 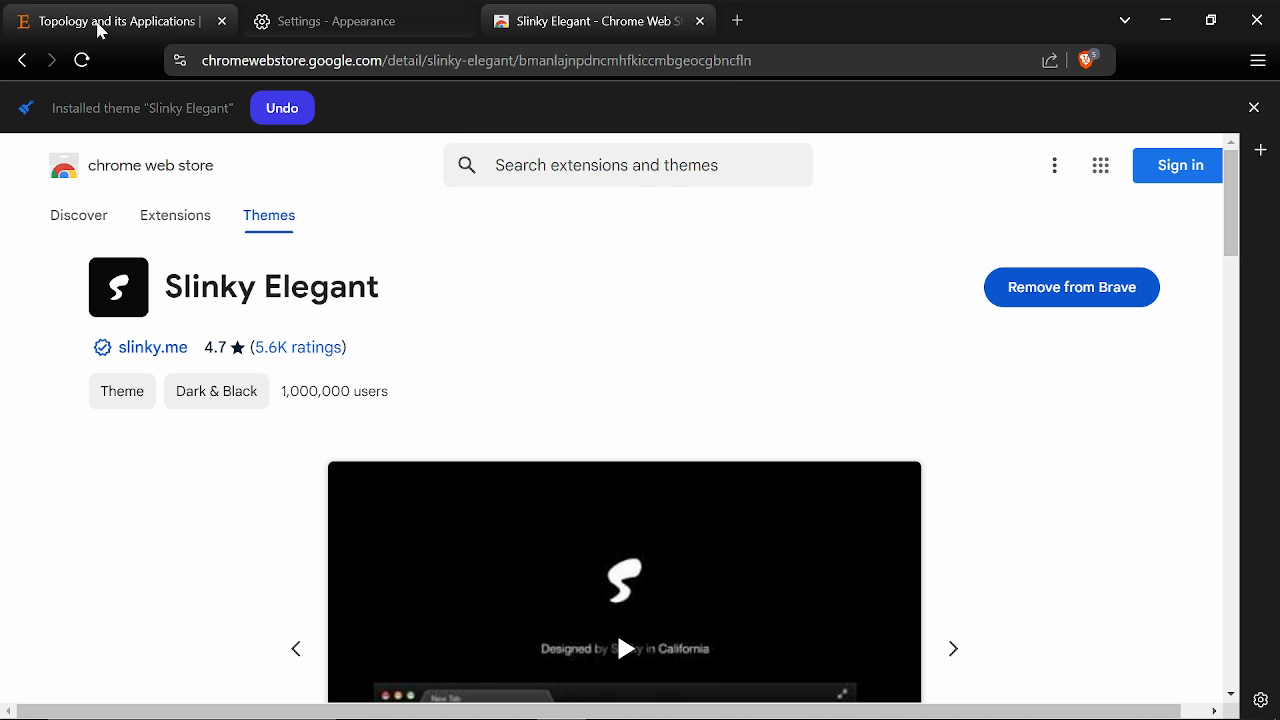 I want to click on Current tab, so click(x=104, y=20).